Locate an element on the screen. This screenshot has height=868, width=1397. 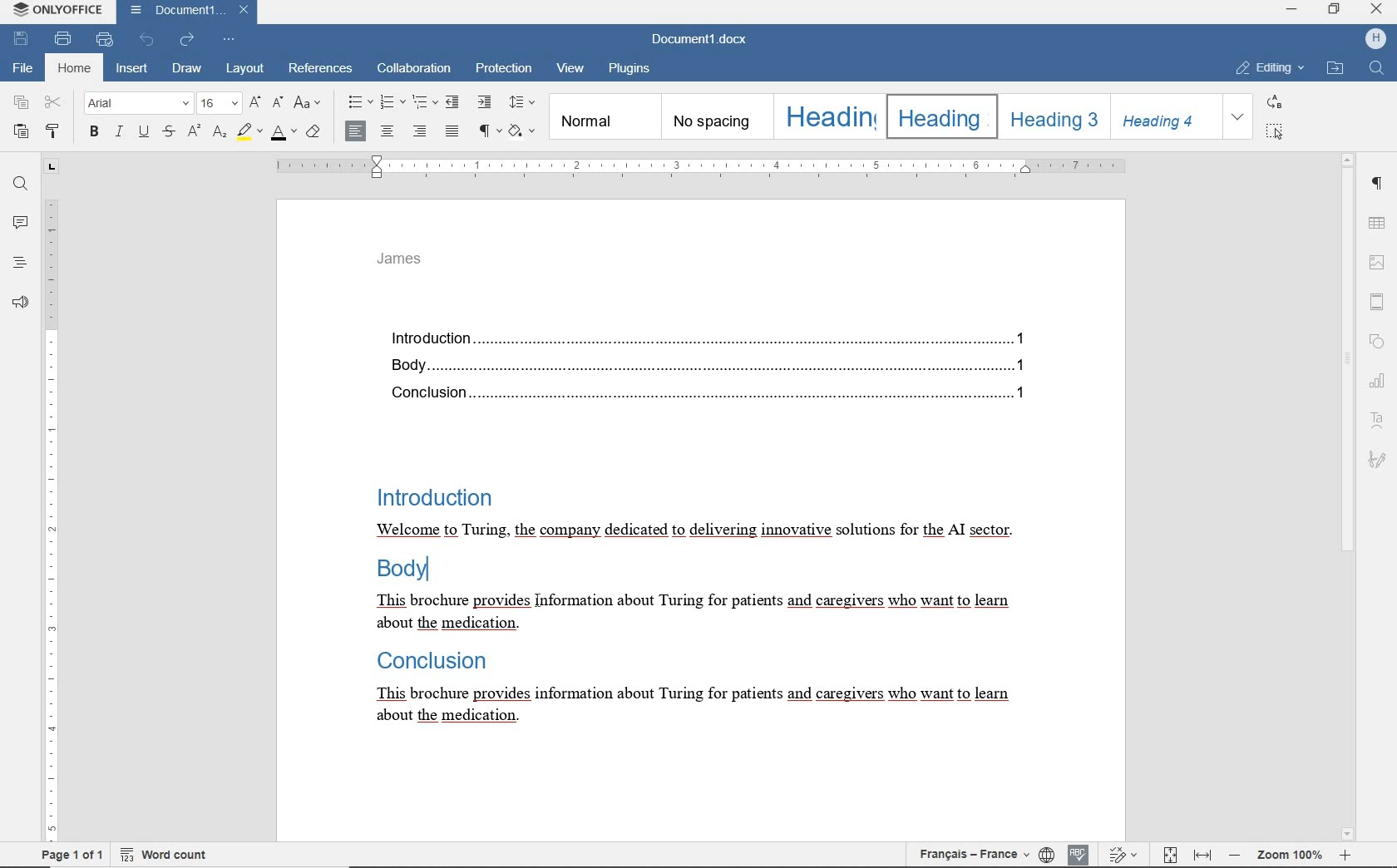
ITALIC is located at coordinates (119, 133).